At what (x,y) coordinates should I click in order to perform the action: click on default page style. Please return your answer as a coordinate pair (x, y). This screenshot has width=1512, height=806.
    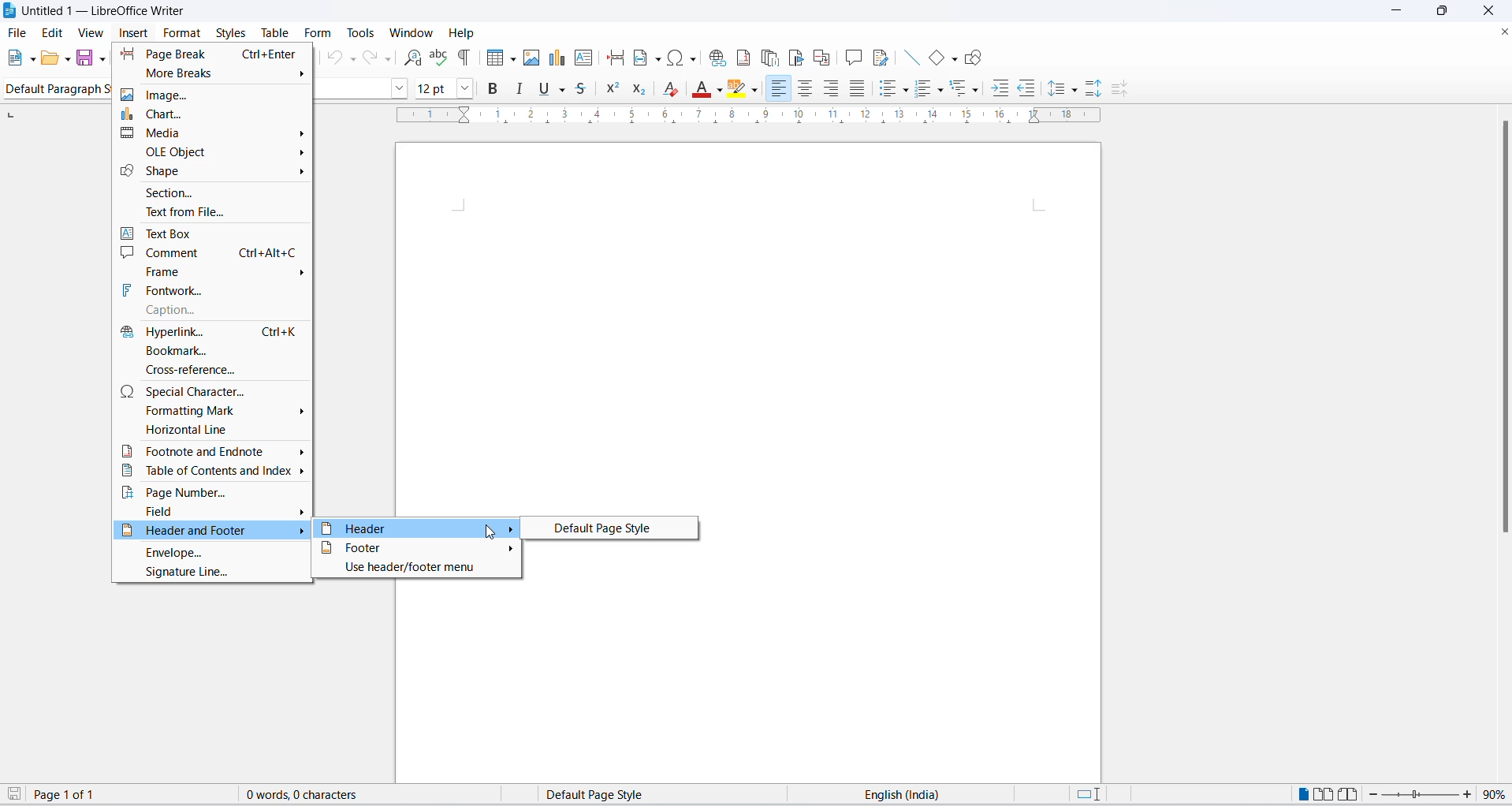
    Looking at the image, I should click on (607, 528).